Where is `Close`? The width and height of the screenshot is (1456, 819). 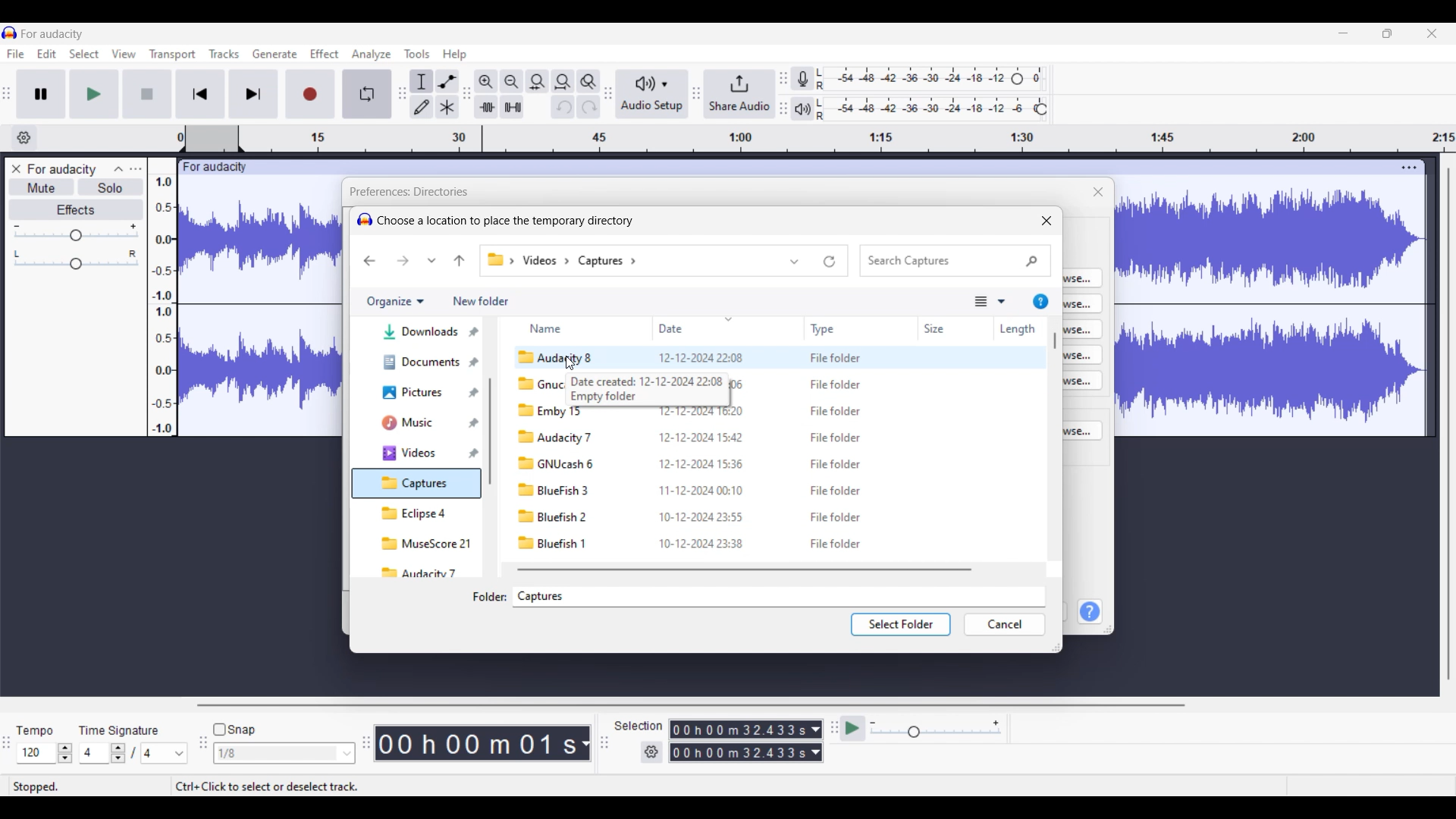 Close is located at coordinates (1099, 192).